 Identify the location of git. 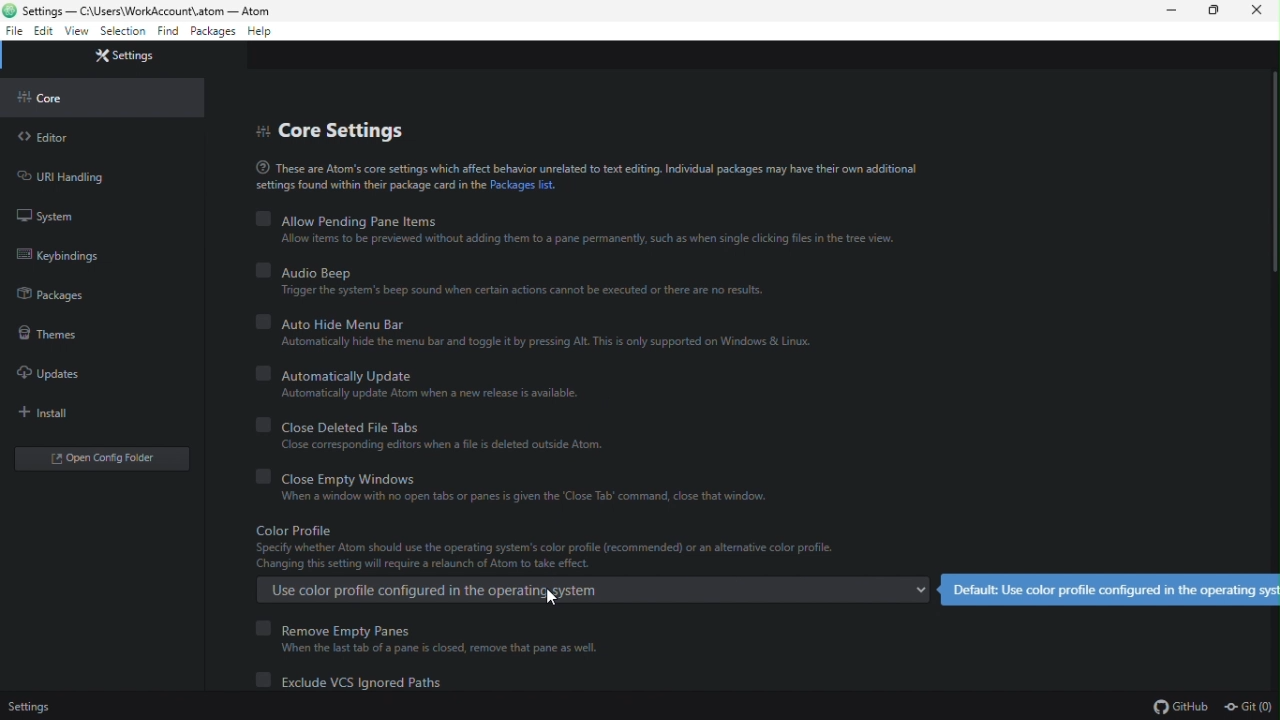
(1250, 705).